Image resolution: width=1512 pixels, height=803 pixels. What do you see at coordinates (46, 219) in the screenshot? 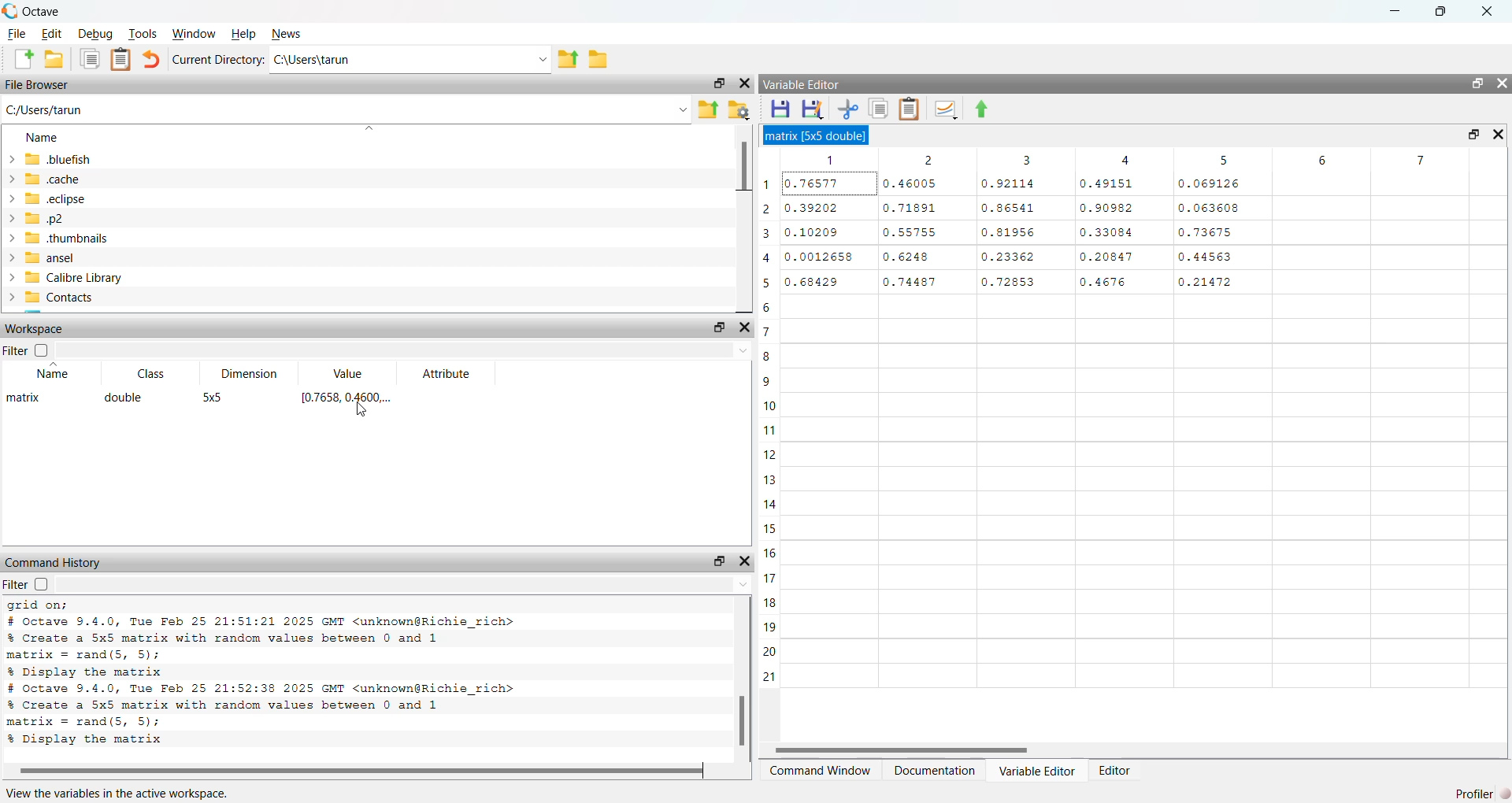
I see `p2` at bounding box center [46, 219].